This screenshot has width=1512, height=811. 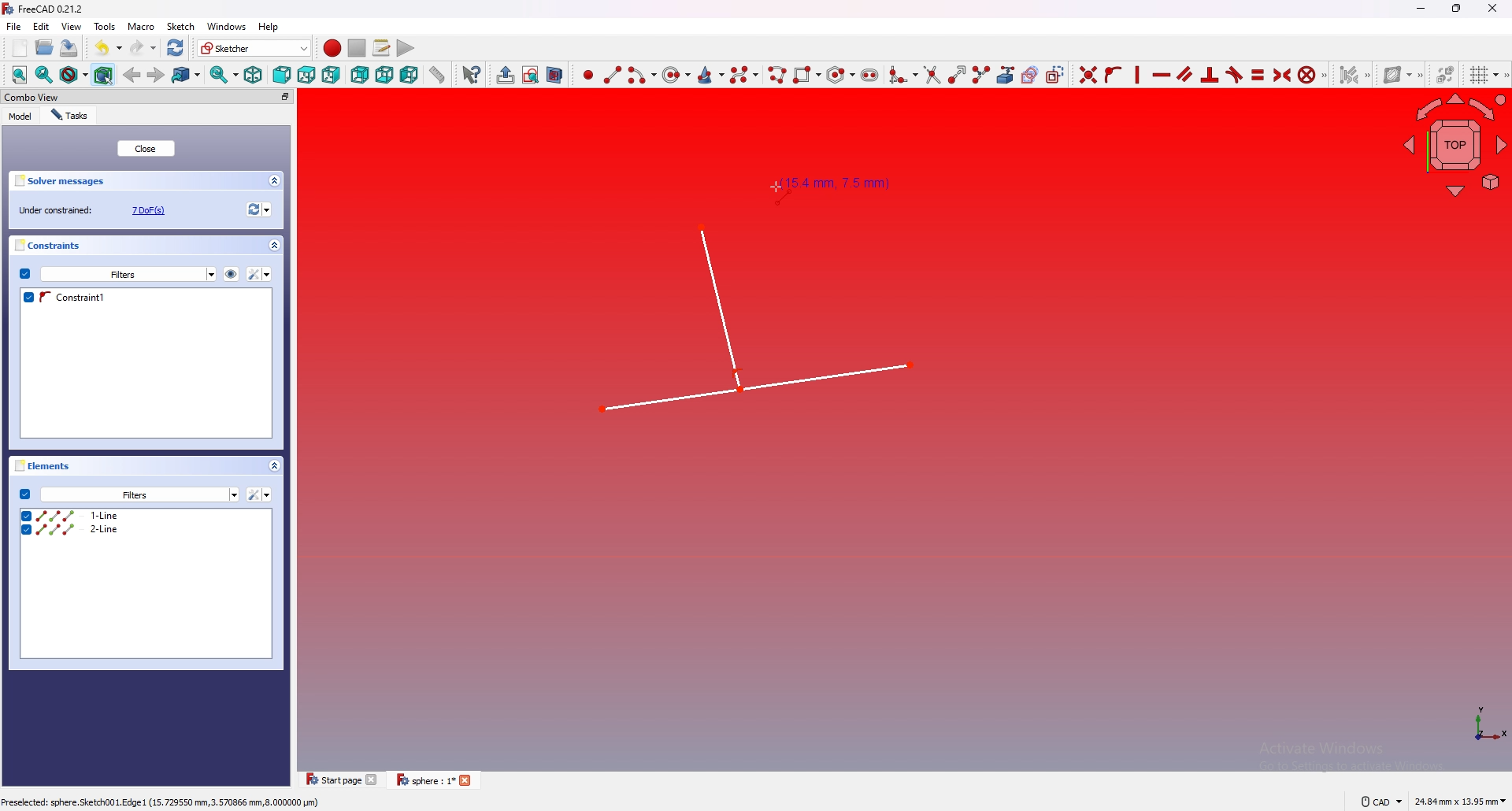 What do you see at coordinates (1480, 727) in the screenshot?
I see `Axis` at bounding box center [1480, 727].